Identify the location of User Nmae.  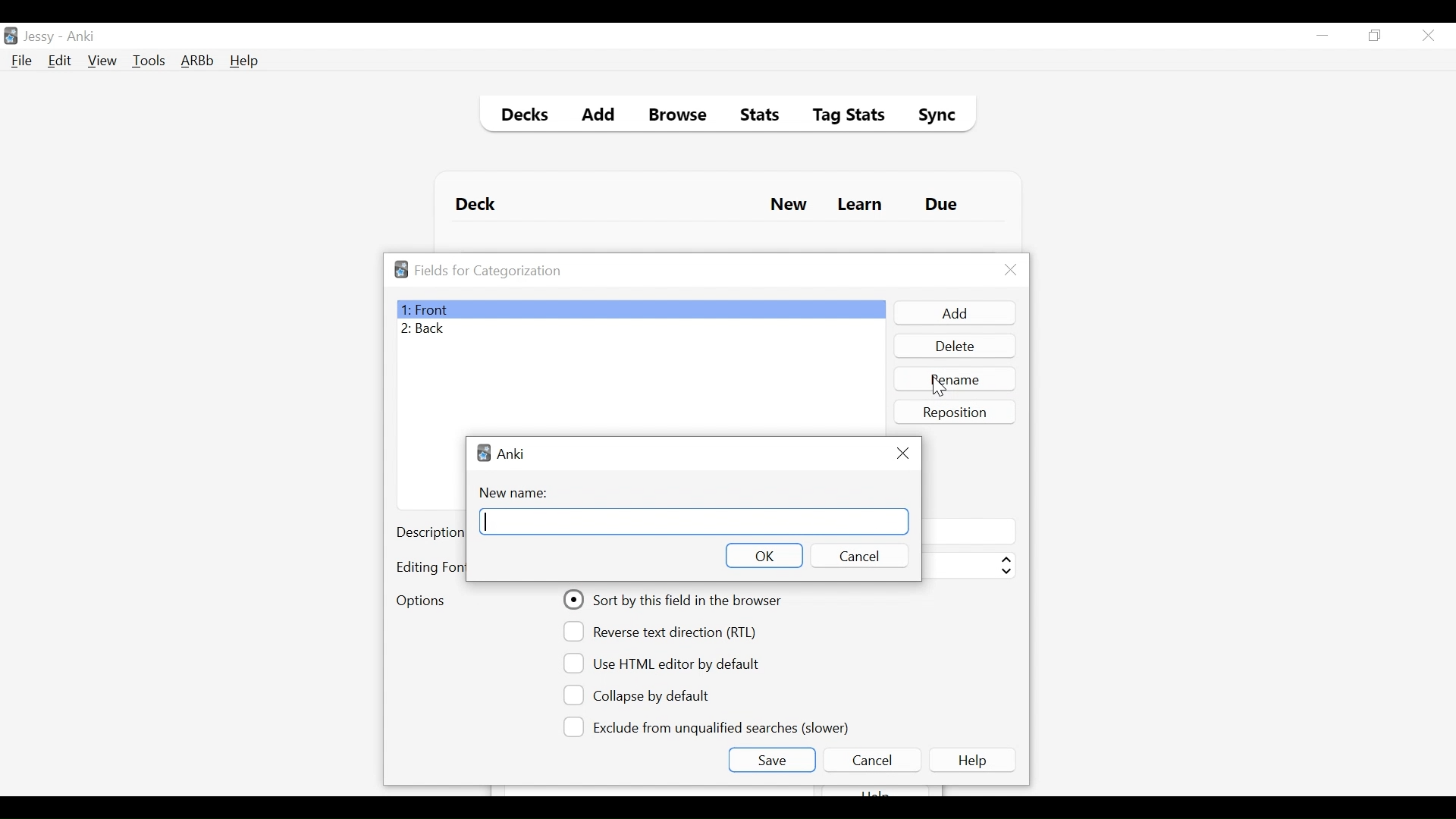
(42, 37).